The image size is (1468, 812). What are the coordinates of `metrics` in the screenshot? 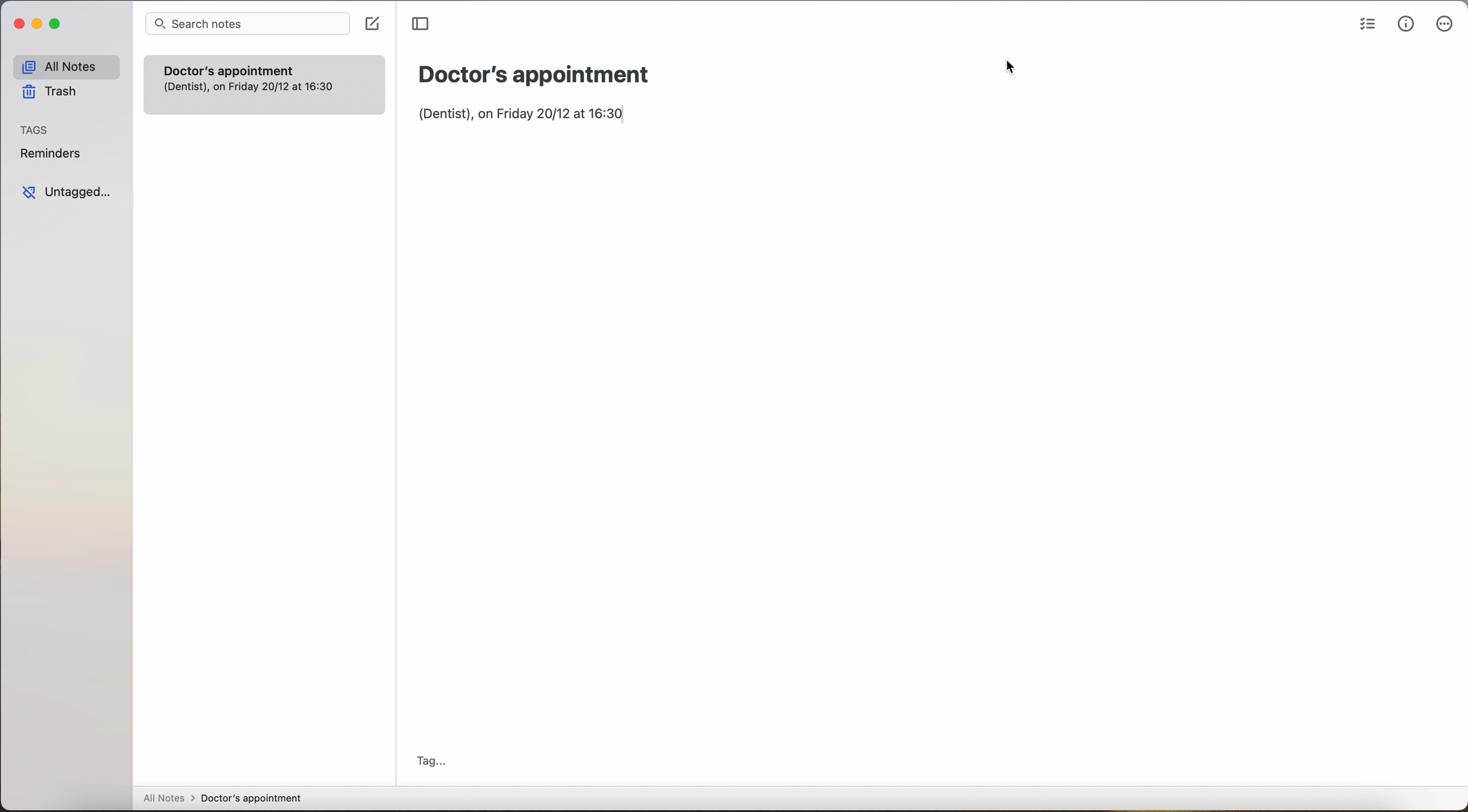 It's located at (1405, 26).